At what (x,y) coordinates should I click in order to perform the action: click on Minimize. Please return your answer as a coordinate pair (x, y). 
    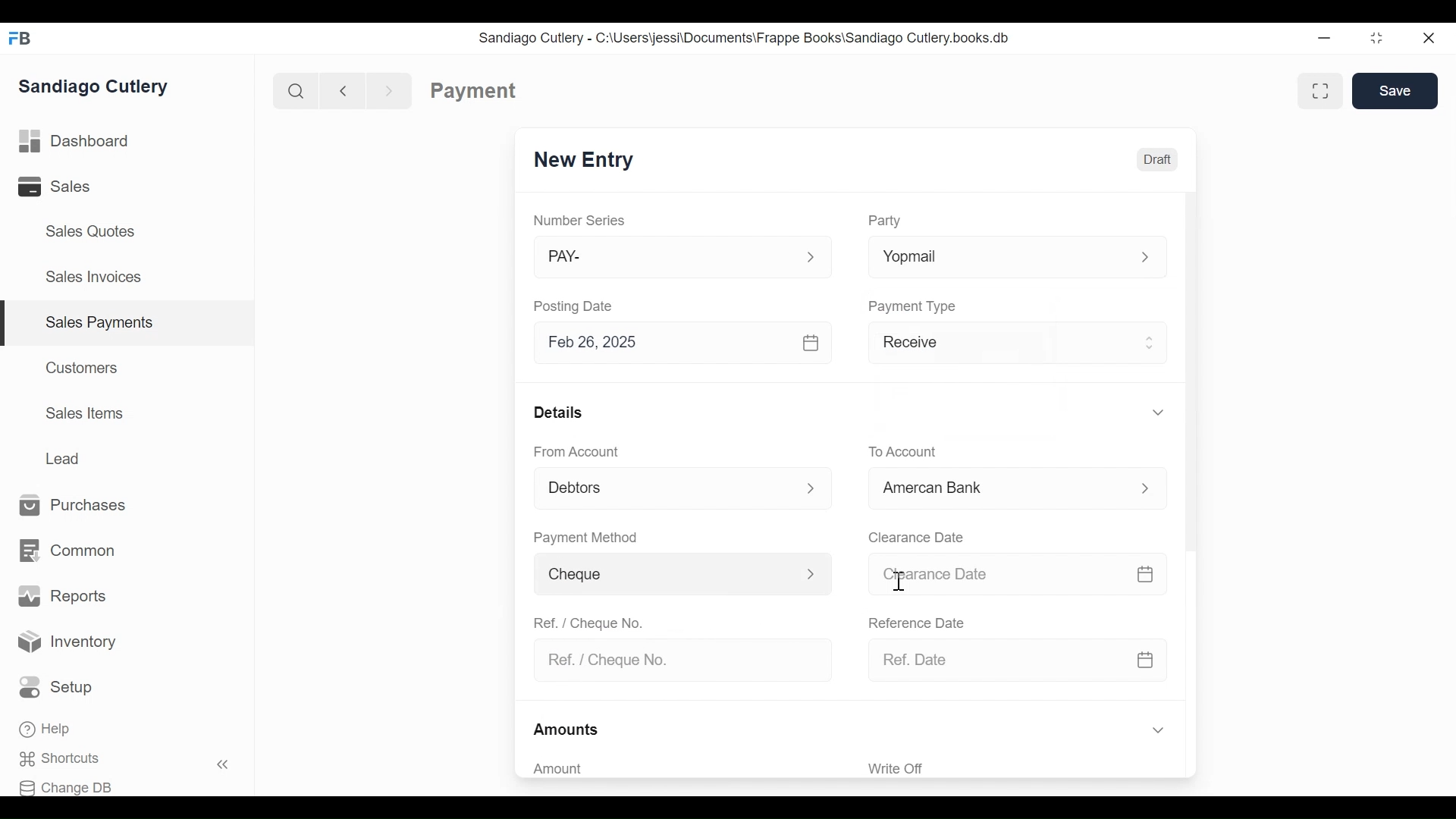
    Looking at the image, I should click on (1324, 39).